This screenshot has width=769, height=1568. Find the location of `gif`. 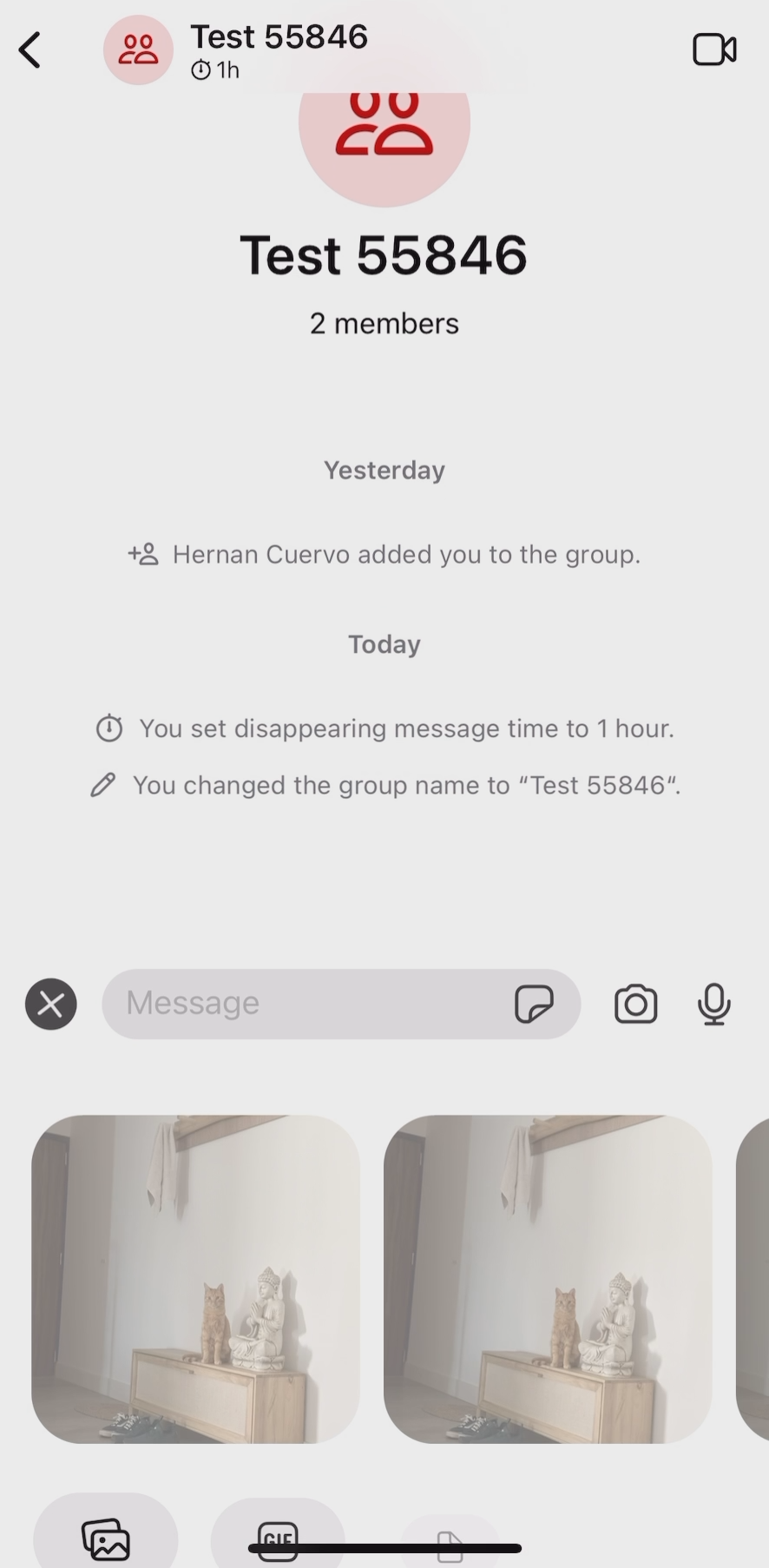

gif is located at coordinates (547, 1000).